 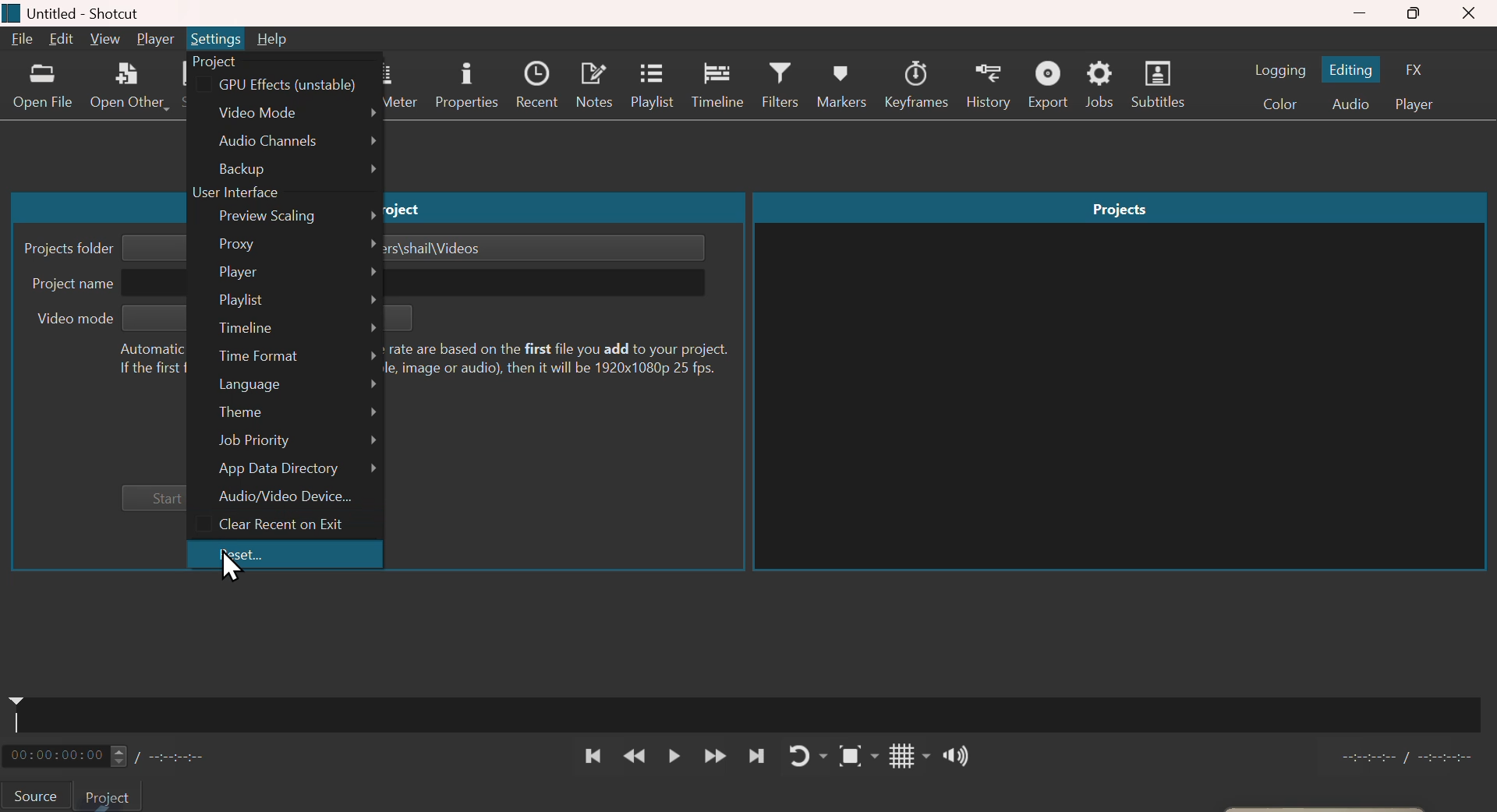 I want to click on location, so click(x=444, y=250).